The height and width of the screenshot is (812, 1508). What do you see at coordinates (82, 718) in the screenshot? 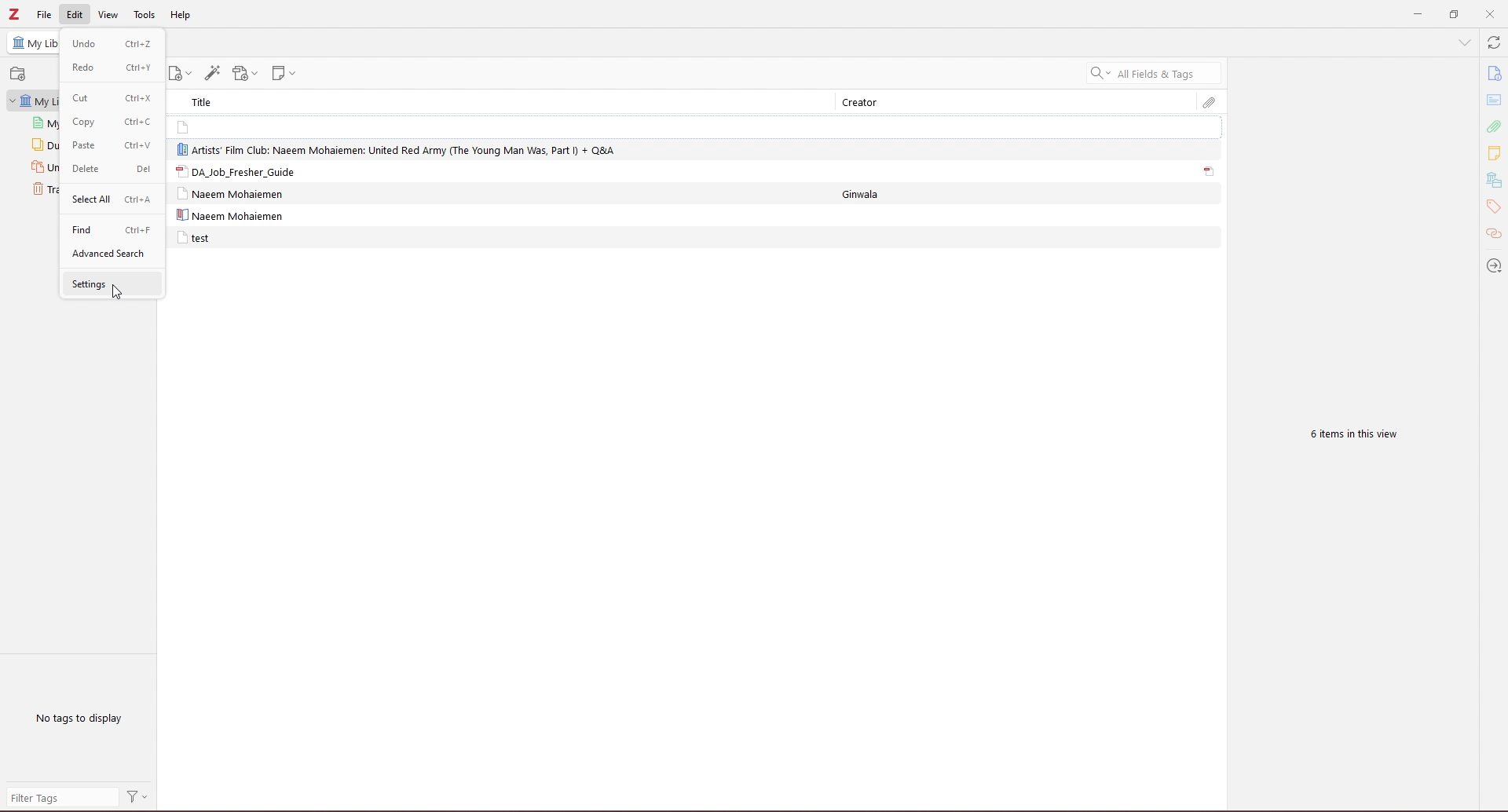
I see `No tags to display` at bounding box center [82, 718].